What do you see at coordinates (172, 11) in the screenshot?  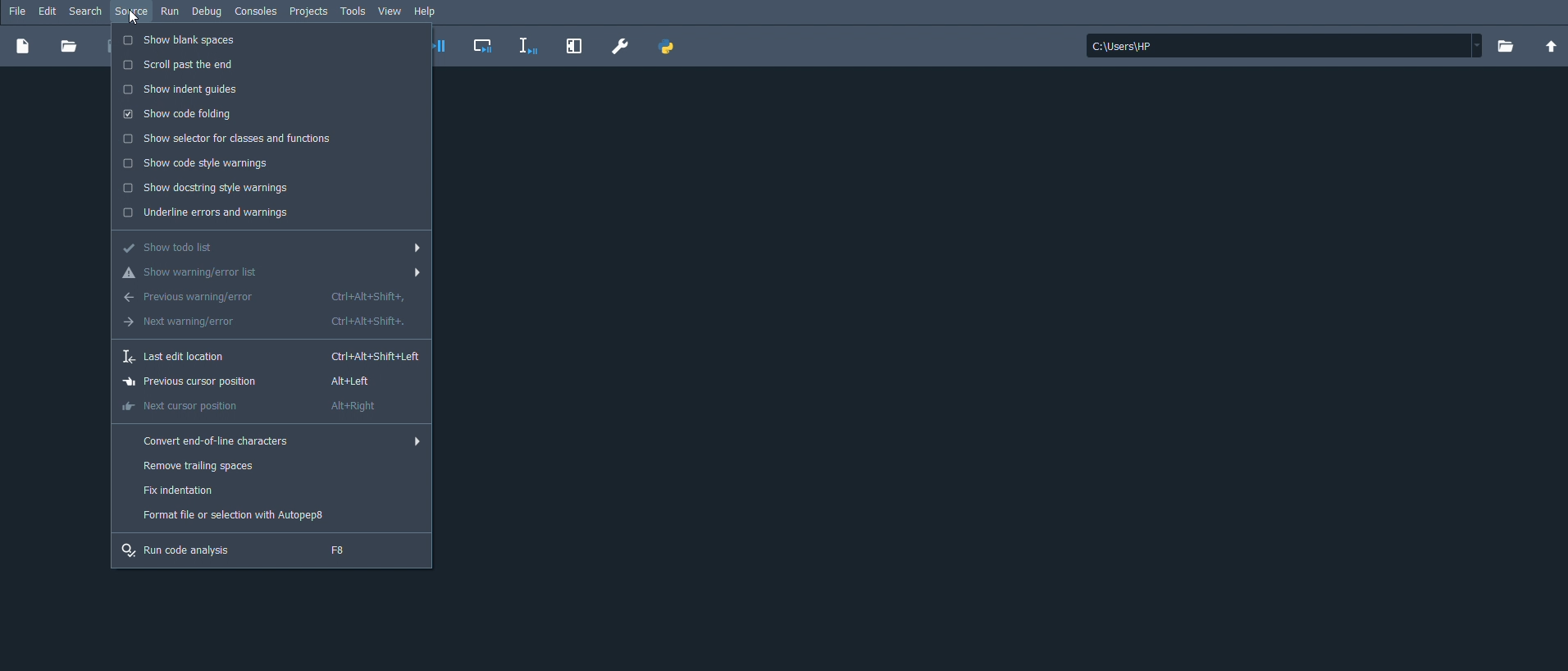 I see `Run` at bounding box center [172, 11].